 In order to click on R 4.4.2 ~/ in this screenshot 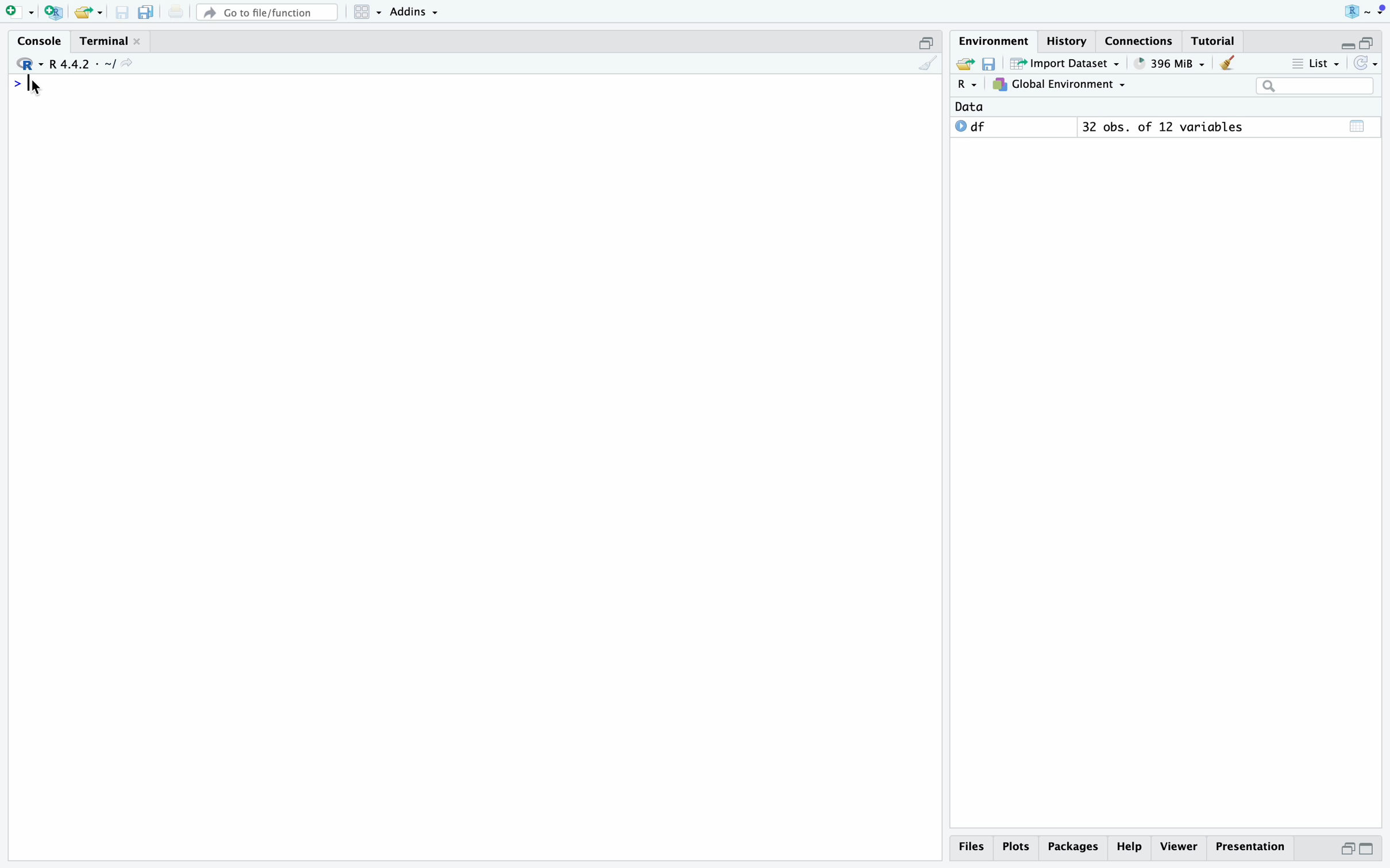, I will do `click(84, 64)`.